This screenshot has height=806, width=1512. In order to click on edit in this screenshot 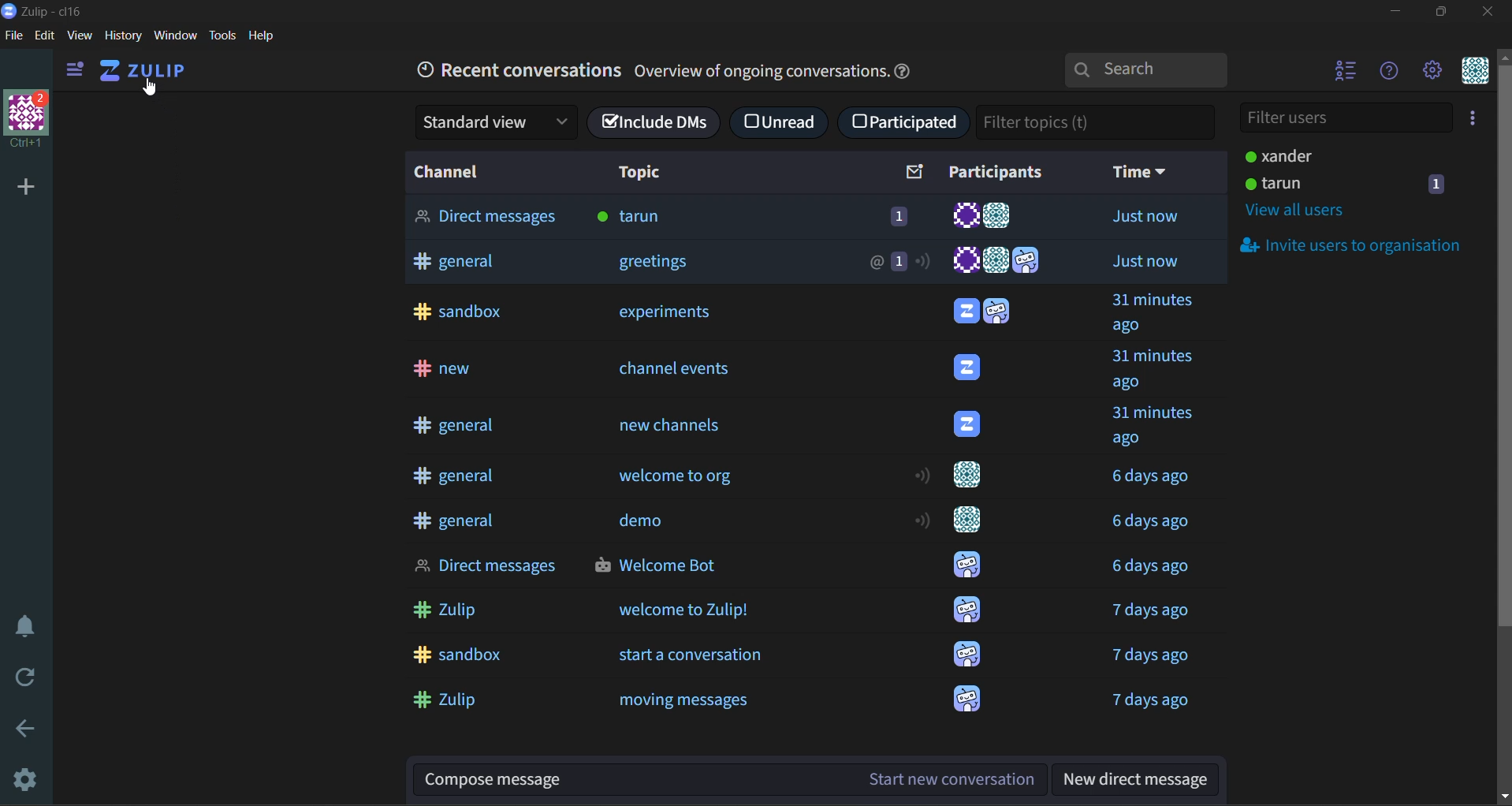, I will do `click(45, 36)`.